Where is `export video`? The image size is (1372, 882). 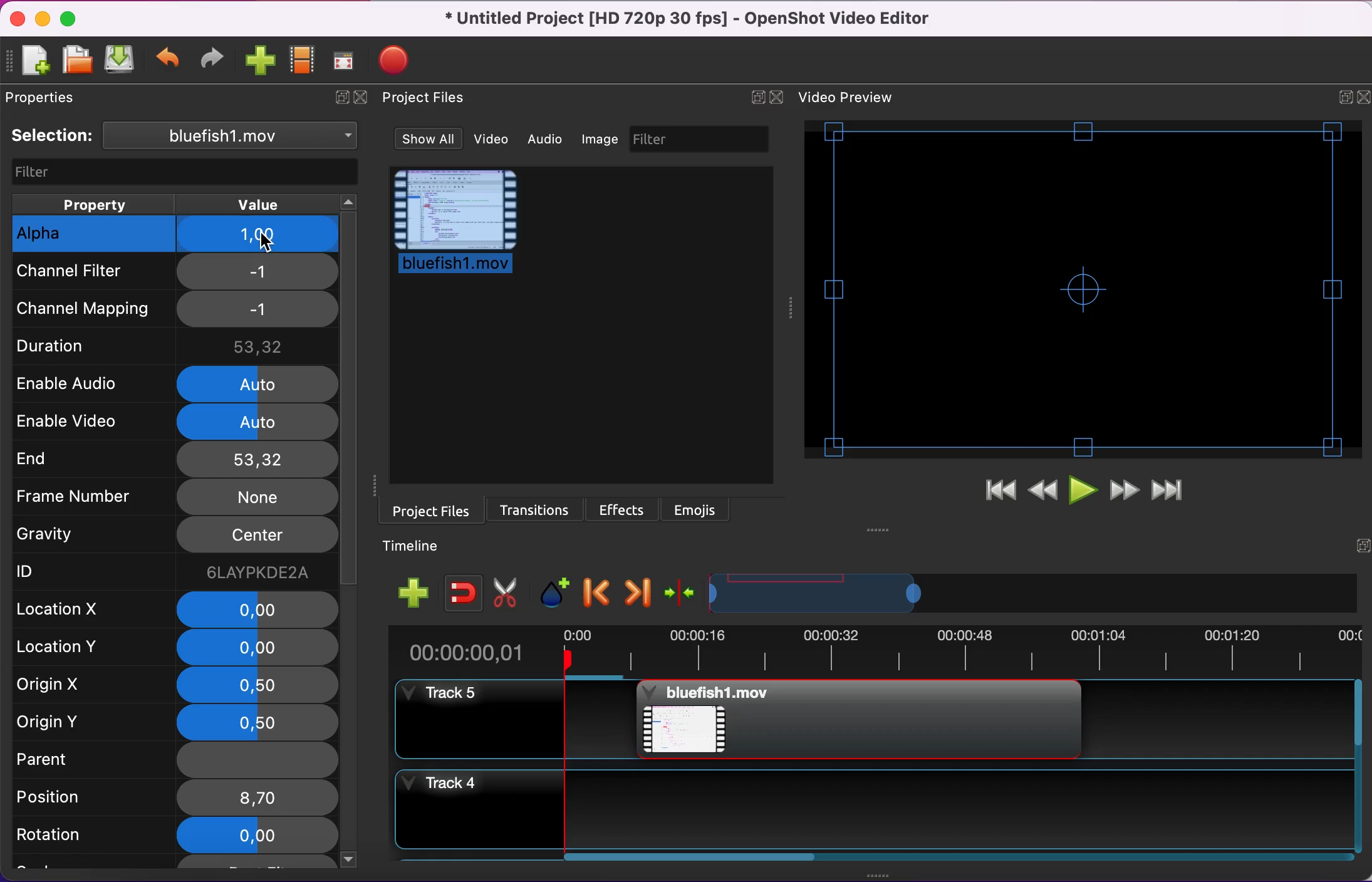 export video is located at coordinates (400, 64).